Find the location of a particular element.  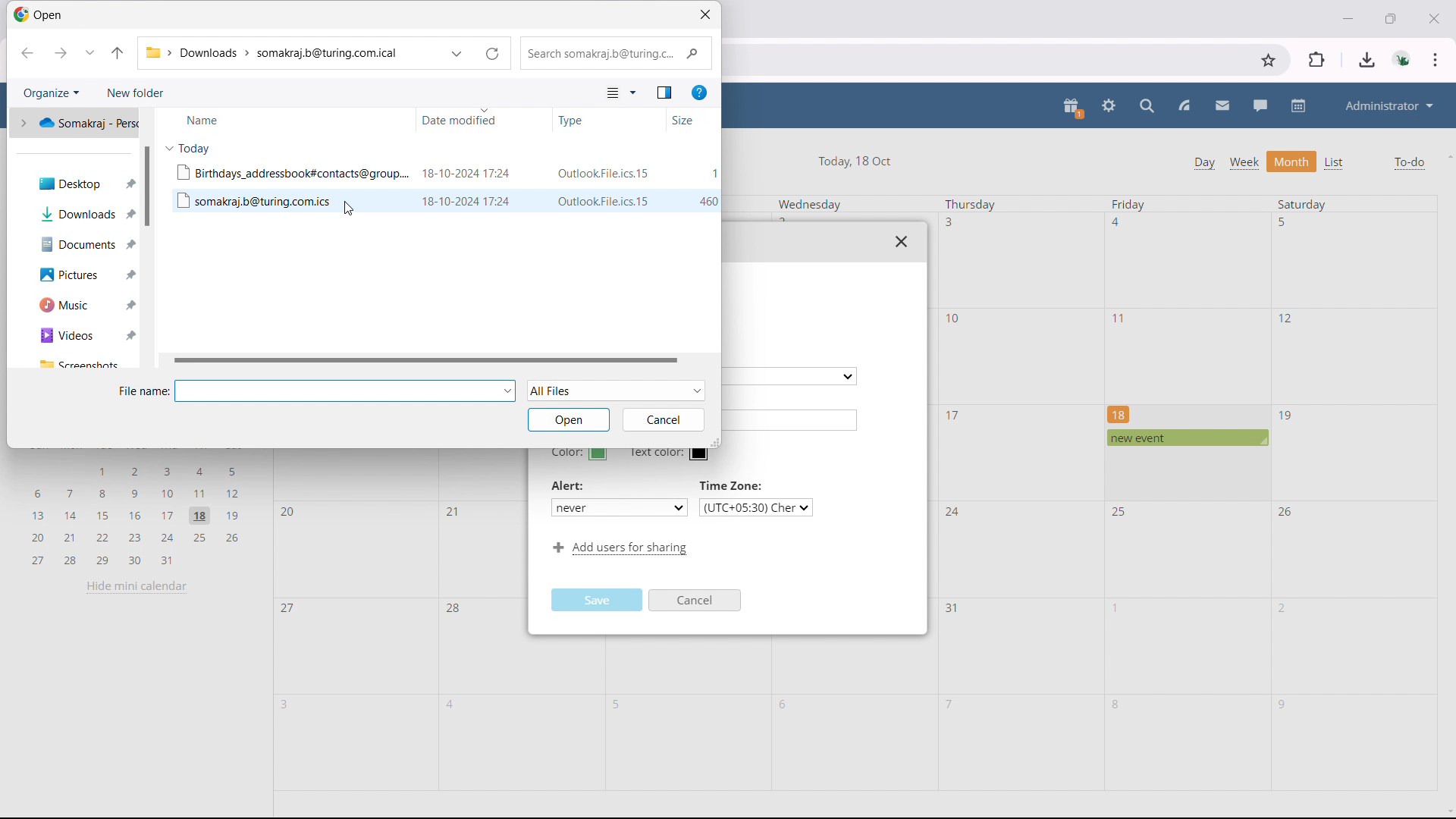

calendar is located at coordinates (1300, 105).